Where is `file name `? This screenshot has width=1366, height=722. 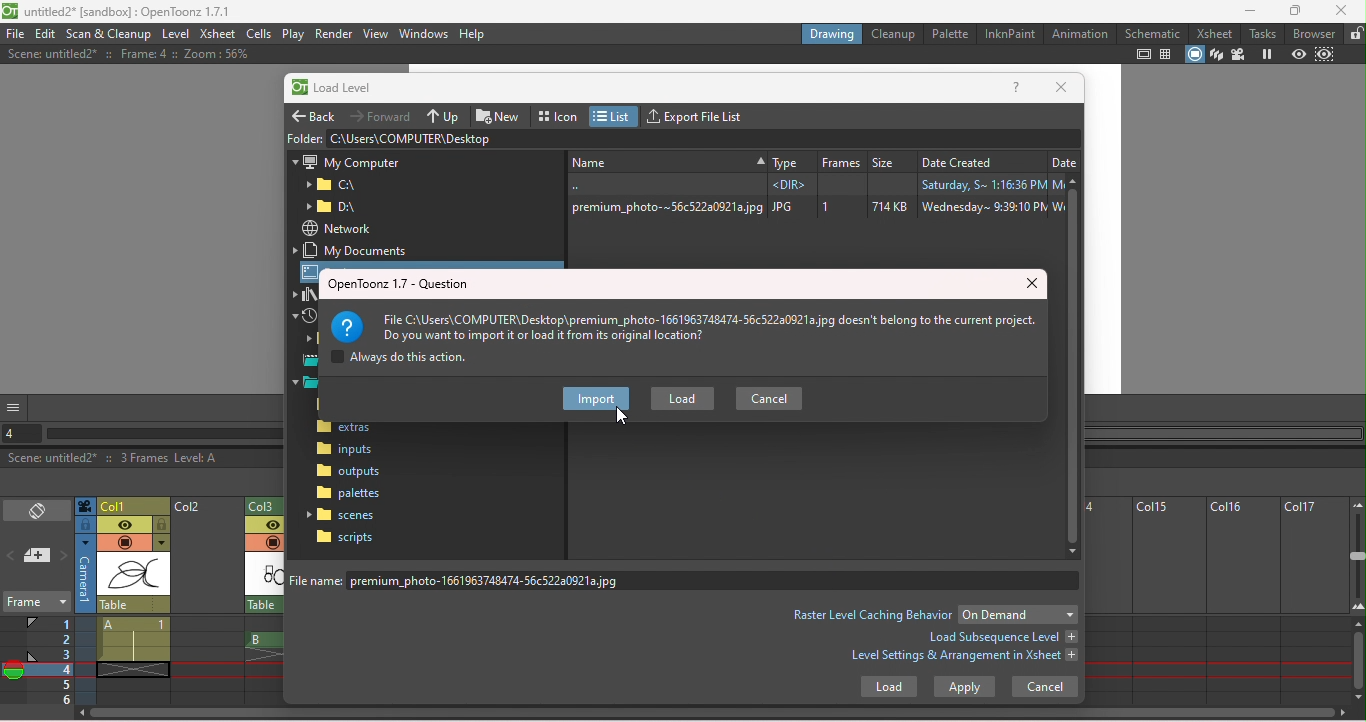 file name  is located at coordinates (688, 580).